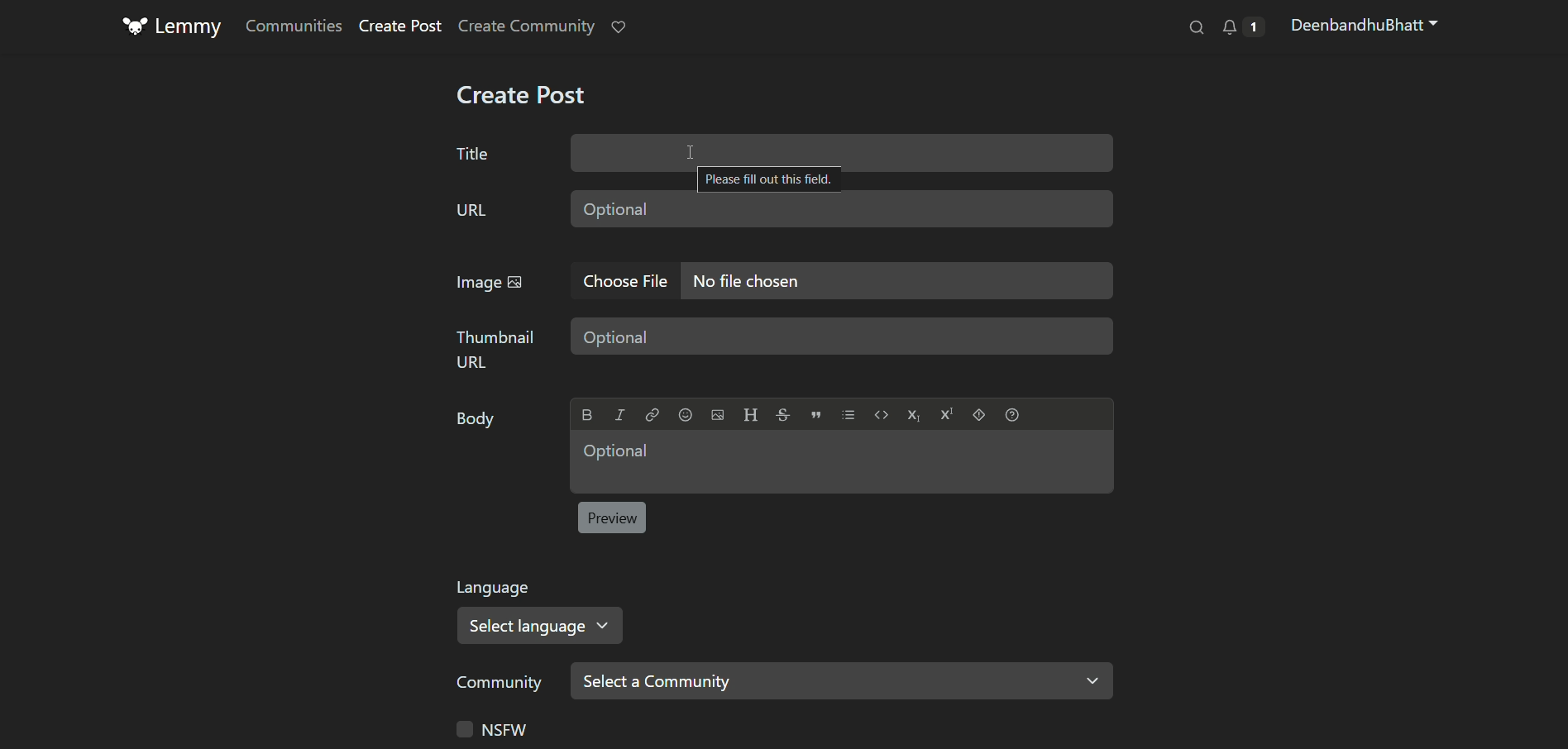  I want to click on communities, so click(293, 26).